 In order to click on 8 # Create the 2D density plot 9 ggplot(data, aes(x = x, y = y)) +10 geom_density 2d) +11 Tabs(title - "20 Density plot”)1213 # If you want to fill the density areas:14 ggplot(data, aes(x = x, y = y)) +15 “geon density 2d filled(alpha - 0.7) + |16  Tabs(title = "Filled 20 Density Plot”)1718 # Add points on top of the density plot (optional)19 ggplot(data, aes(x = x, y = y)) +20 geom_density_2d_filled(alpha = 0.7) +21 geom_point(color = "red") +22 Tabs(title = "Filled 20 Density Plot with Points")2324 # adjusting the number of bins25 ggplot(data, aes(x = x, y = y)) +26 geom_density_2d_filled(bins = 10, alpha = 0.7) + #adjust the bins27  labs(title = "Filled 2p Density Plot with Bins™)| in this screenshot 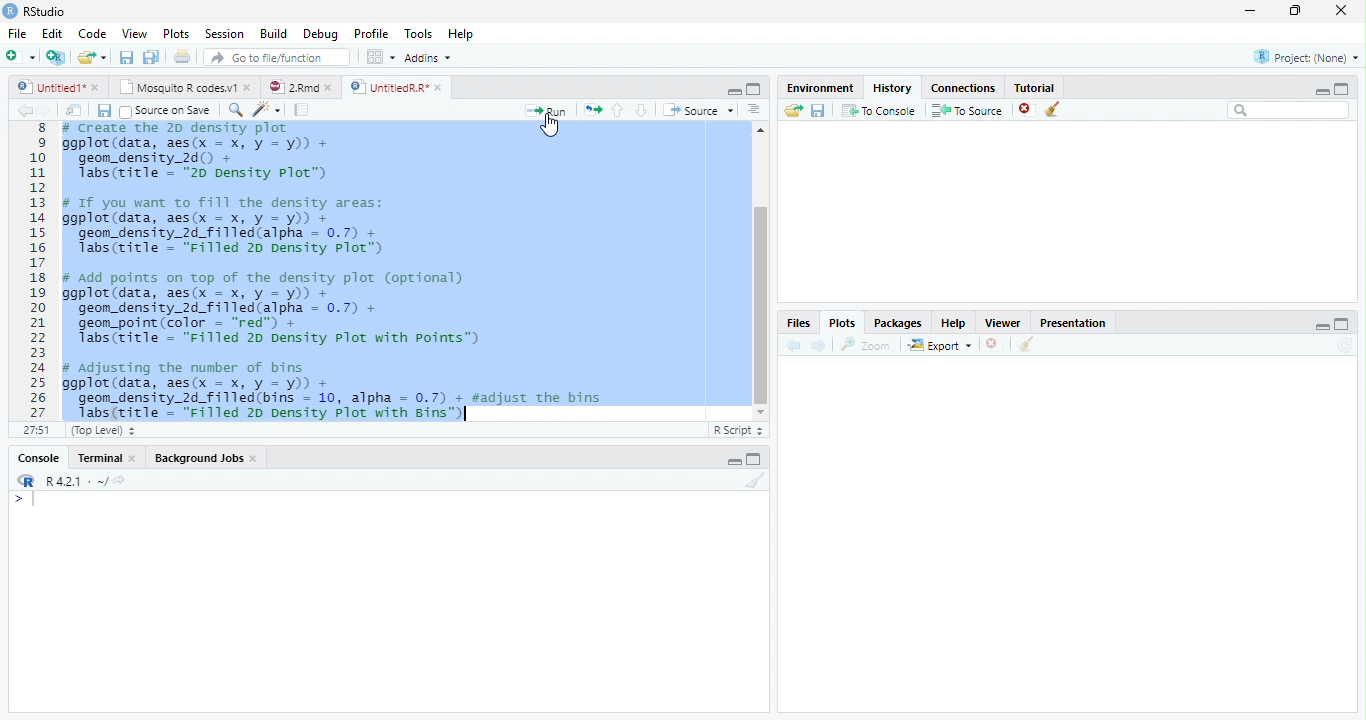, I will do `click(363, 272)`.